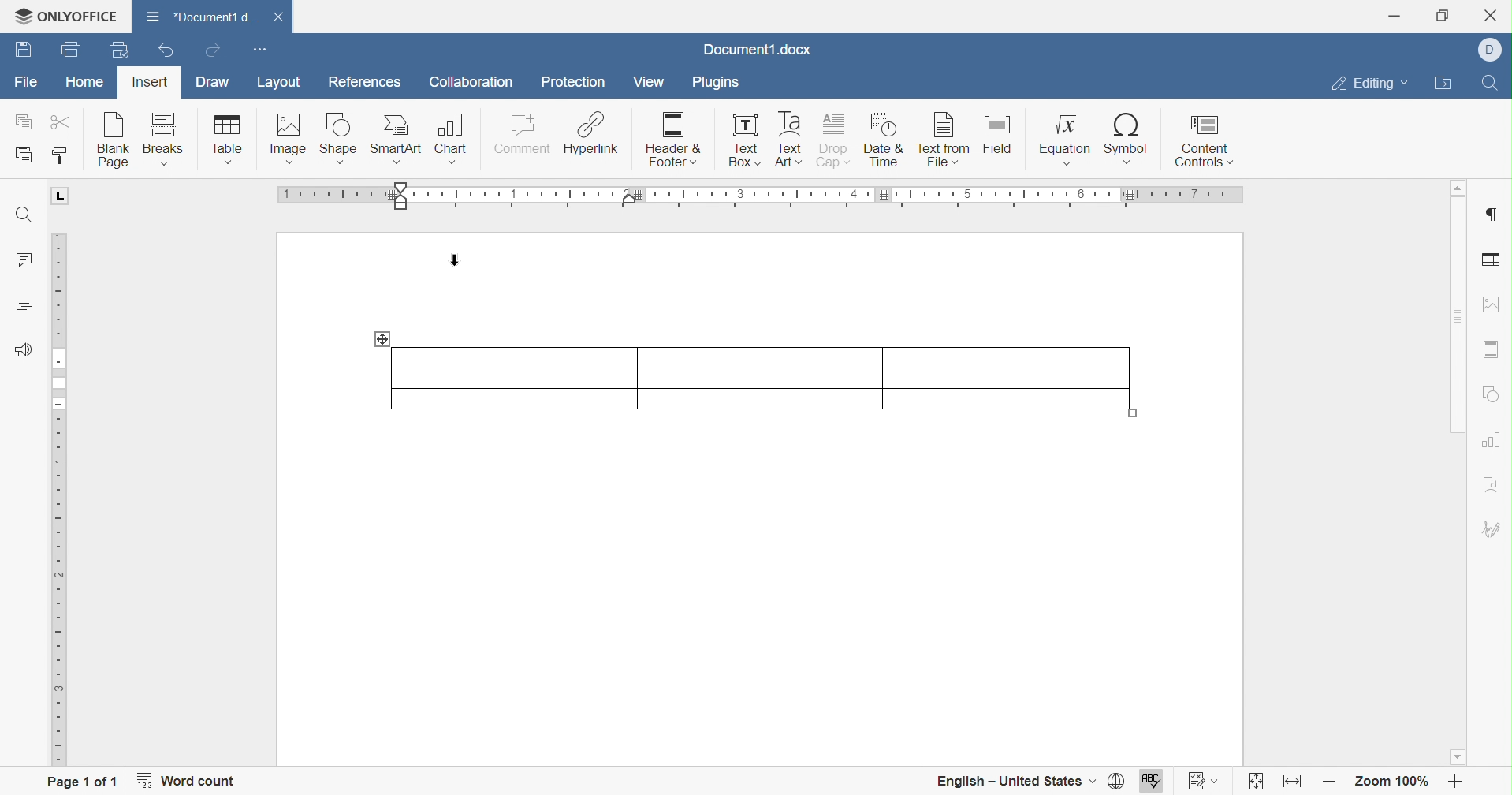 The image size is (1512, 795). I want to click on Text from file, so click(944, 139).